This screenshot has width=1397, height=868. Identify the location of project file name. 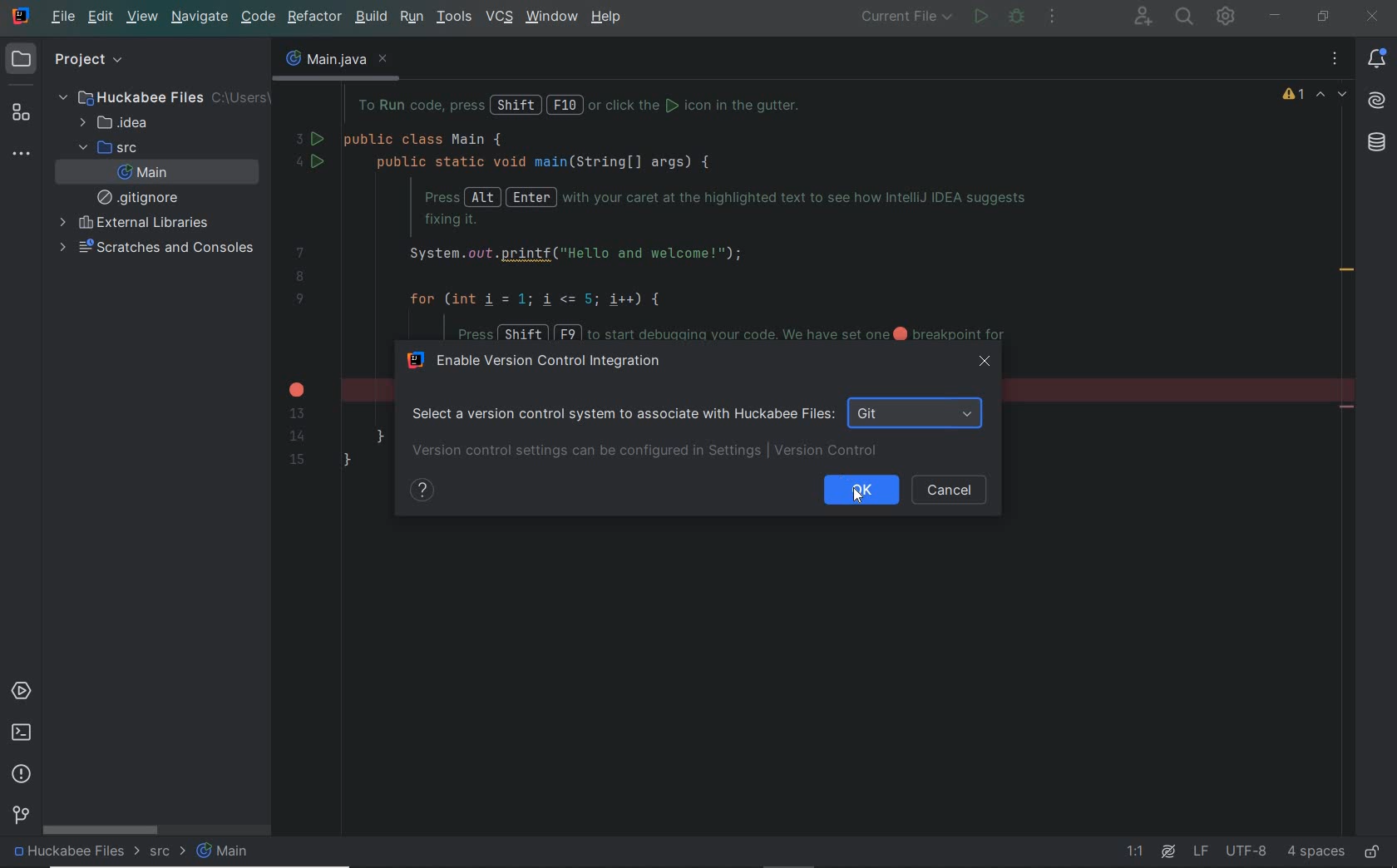
(67, 854).